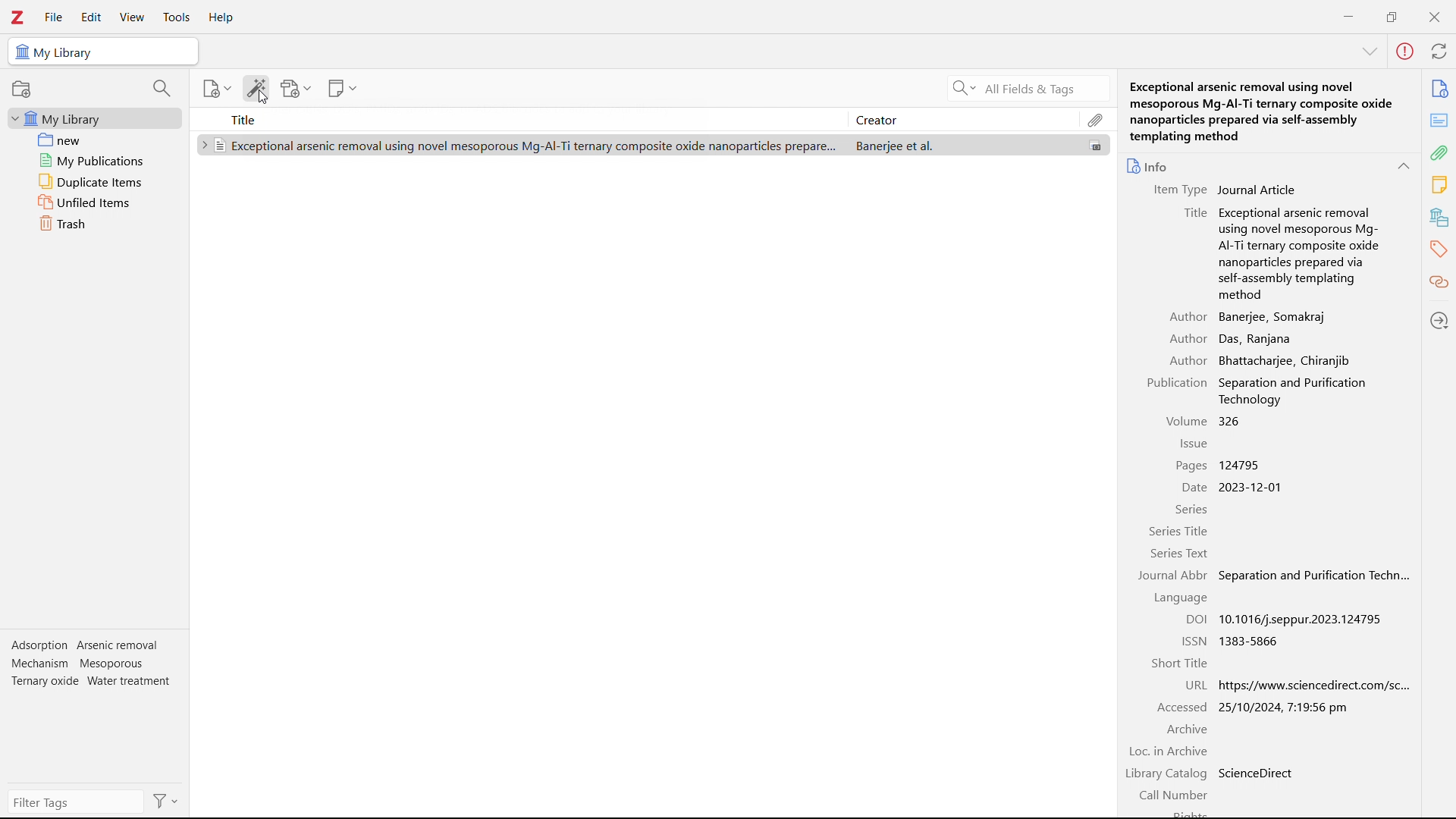 The height and width of the screenshot is (819, 1456). Describe the element at coordinates (163, 88) in the screenshot. I see `filter collections` at that location.